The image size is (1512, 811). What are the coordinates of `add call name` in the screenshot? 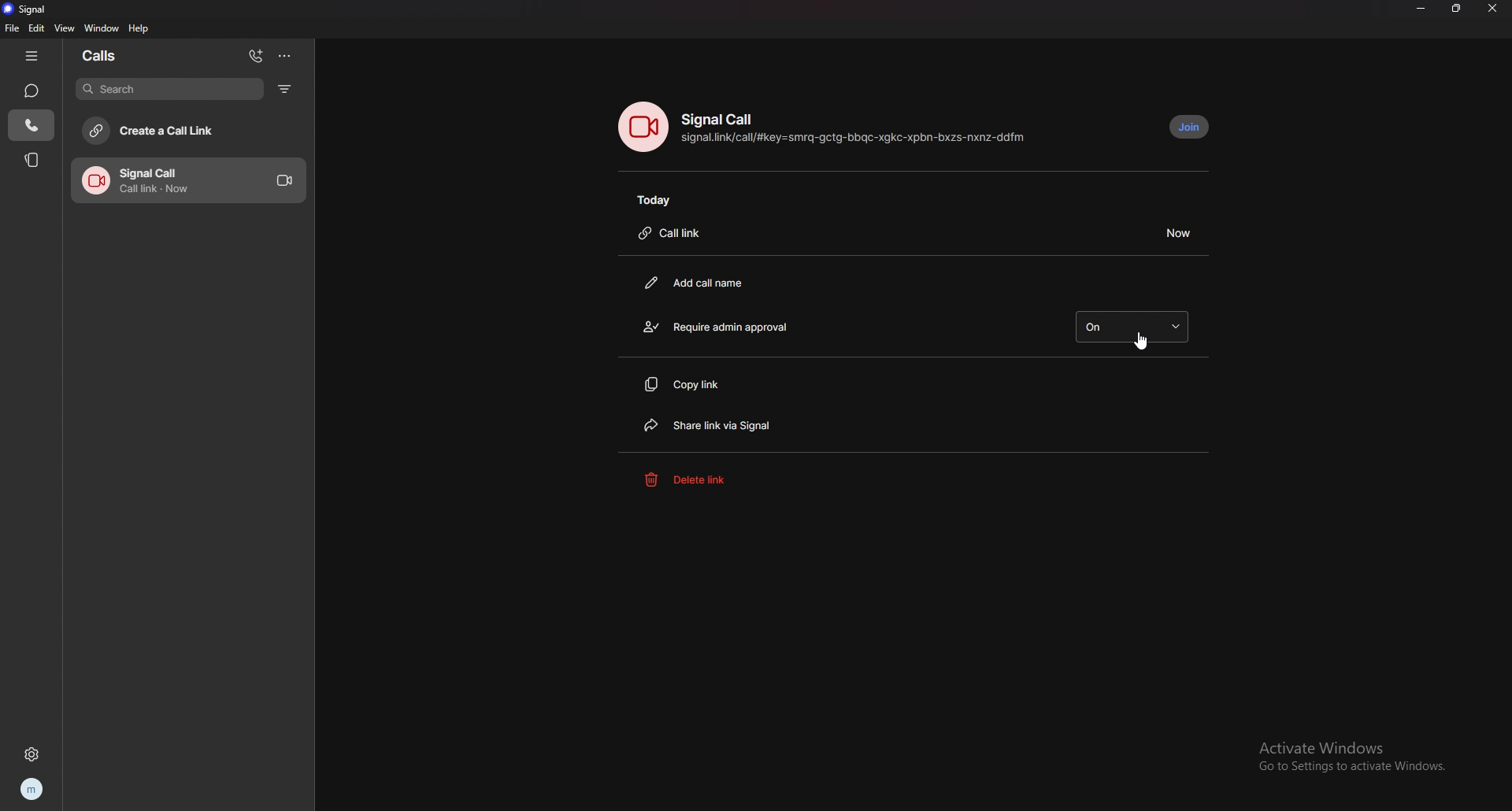 It's located at (699, 284).